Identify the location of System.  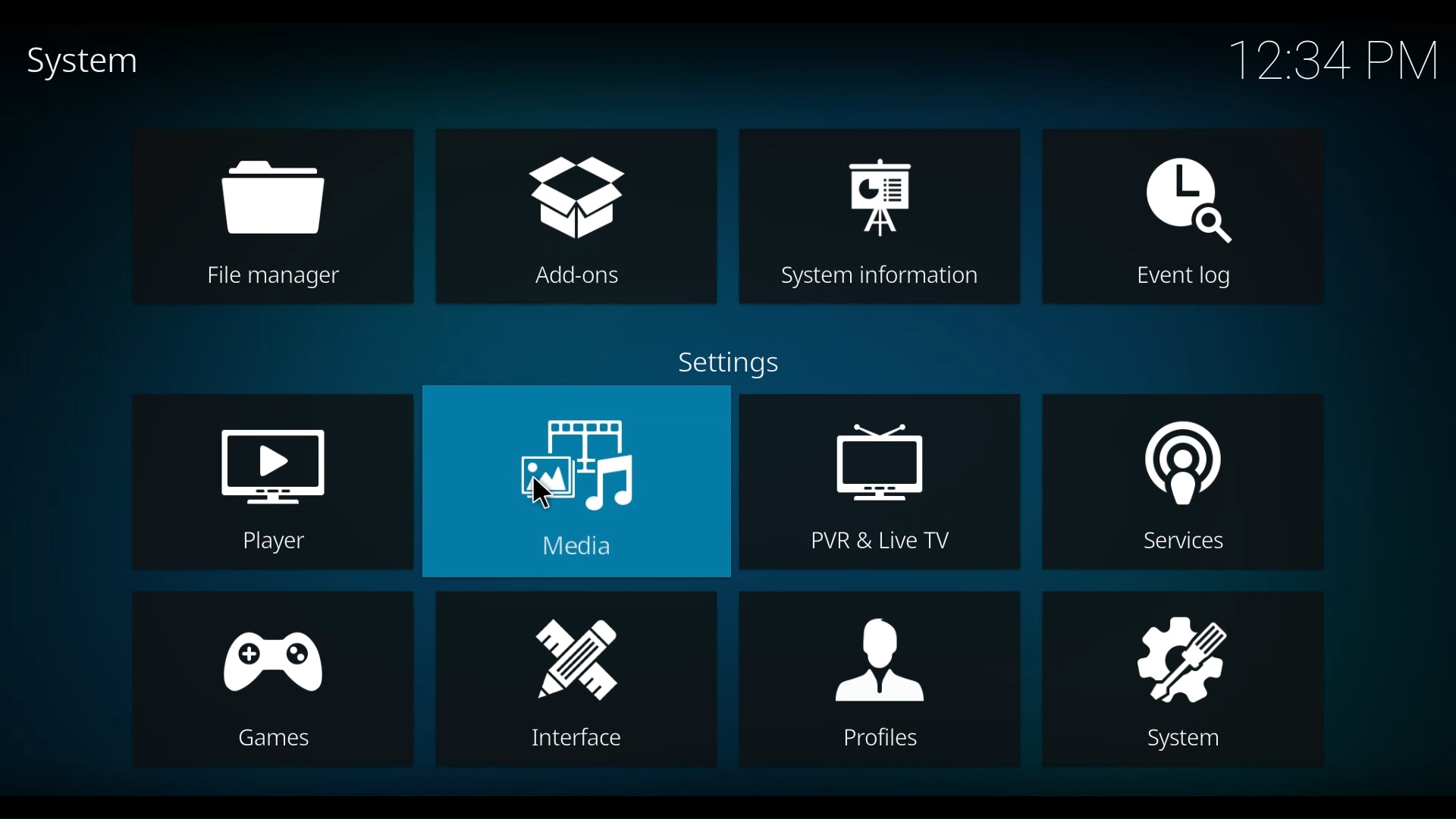
(80, 64).